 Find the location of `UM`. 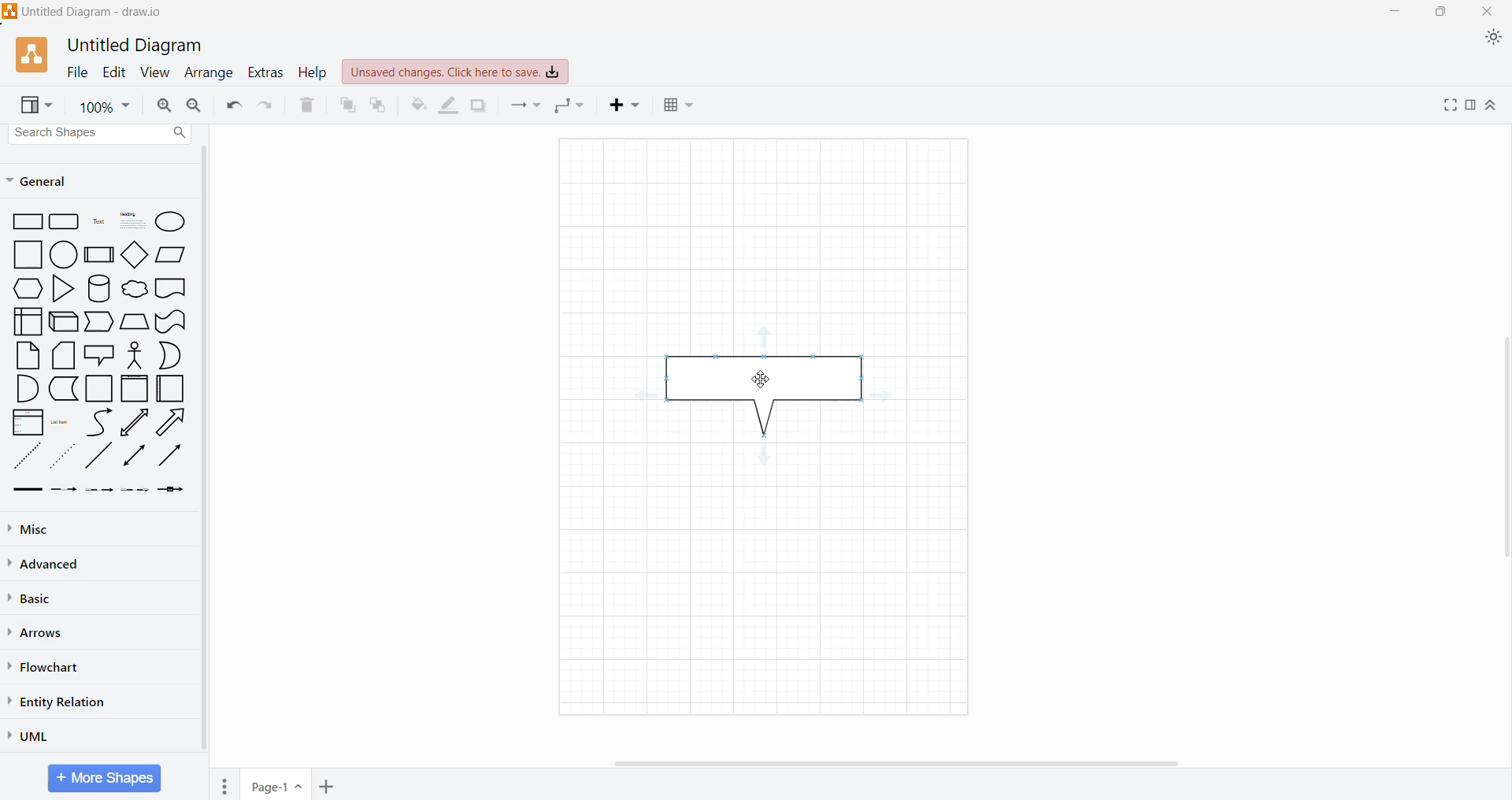

UM is located at coordinates (34, 735).